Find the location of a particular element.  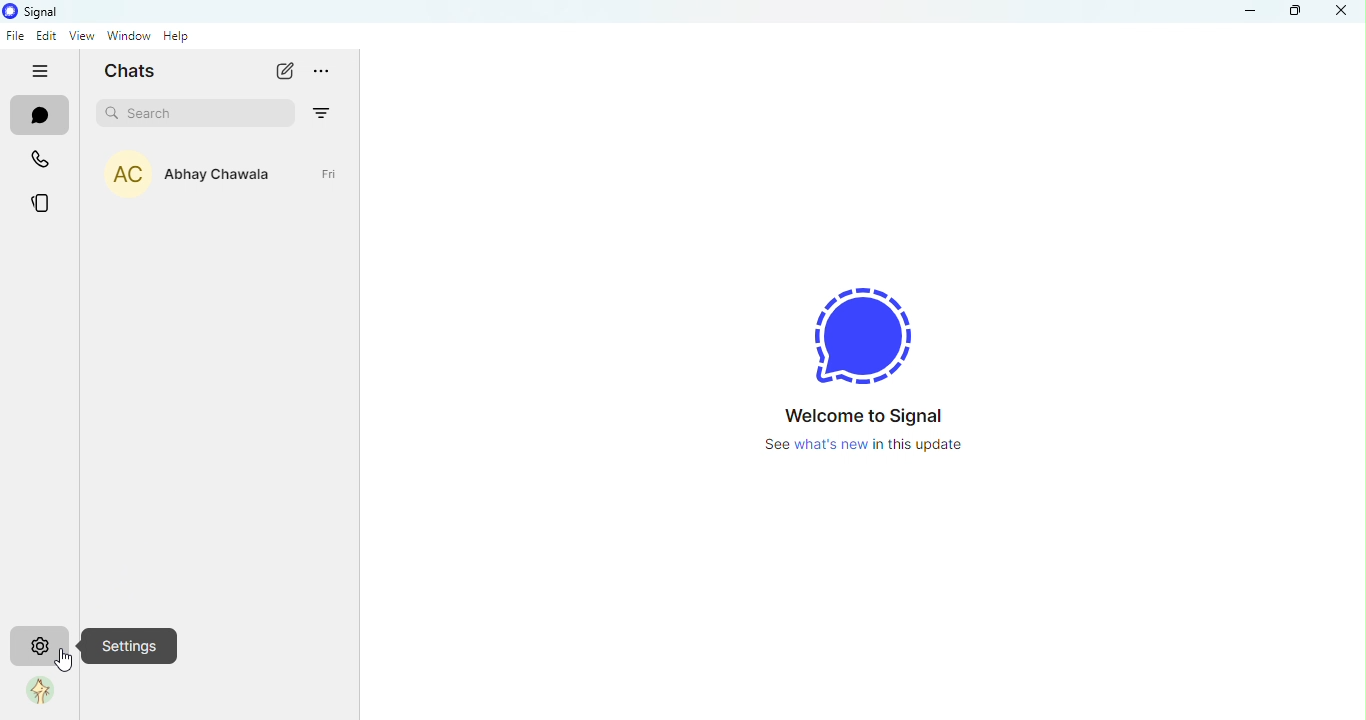

maximixe is located at coordinates (1294, 14).